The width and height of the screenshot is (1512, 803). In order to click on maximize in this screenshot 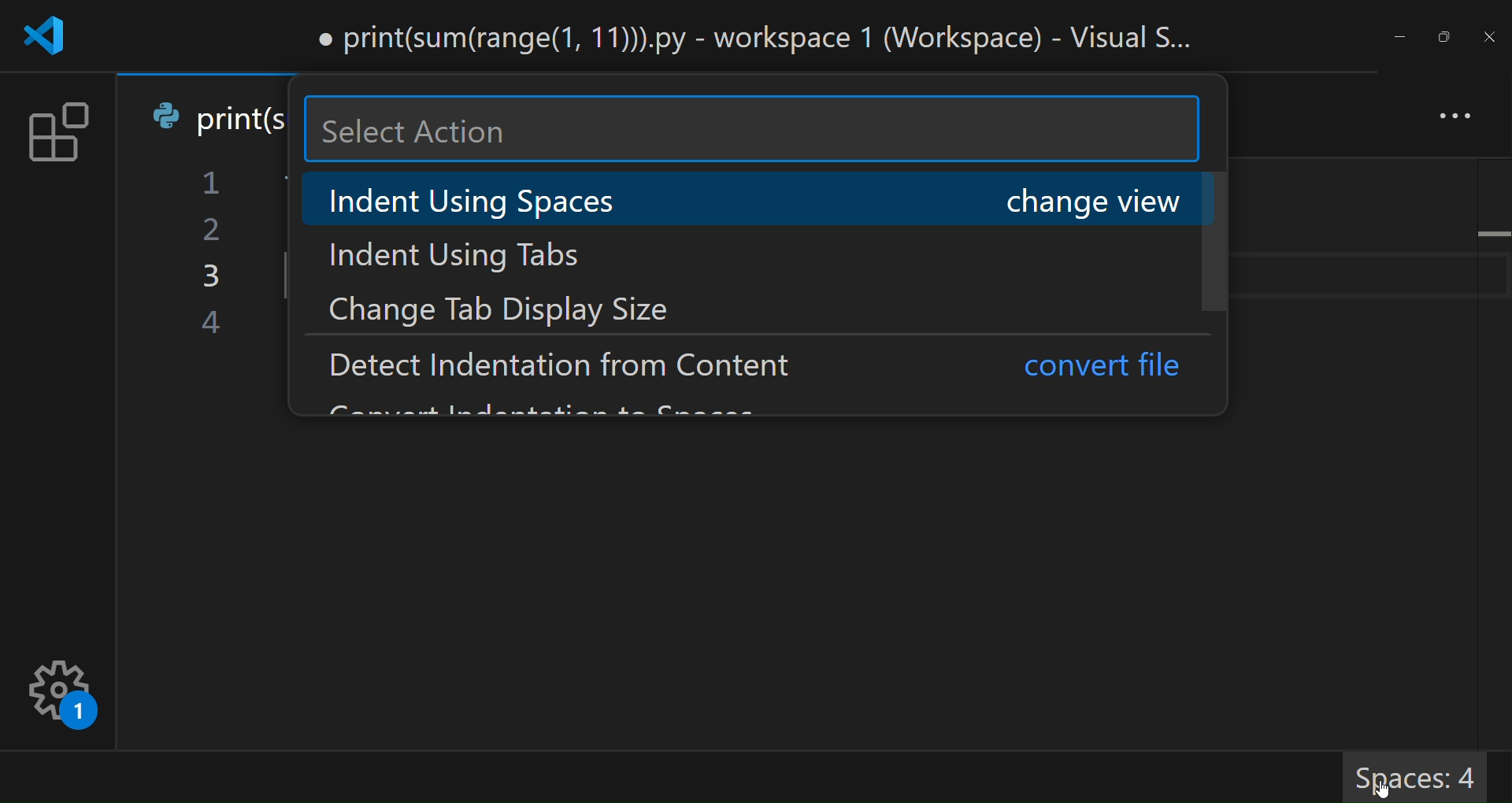, I will do `click(1448, 35)`.